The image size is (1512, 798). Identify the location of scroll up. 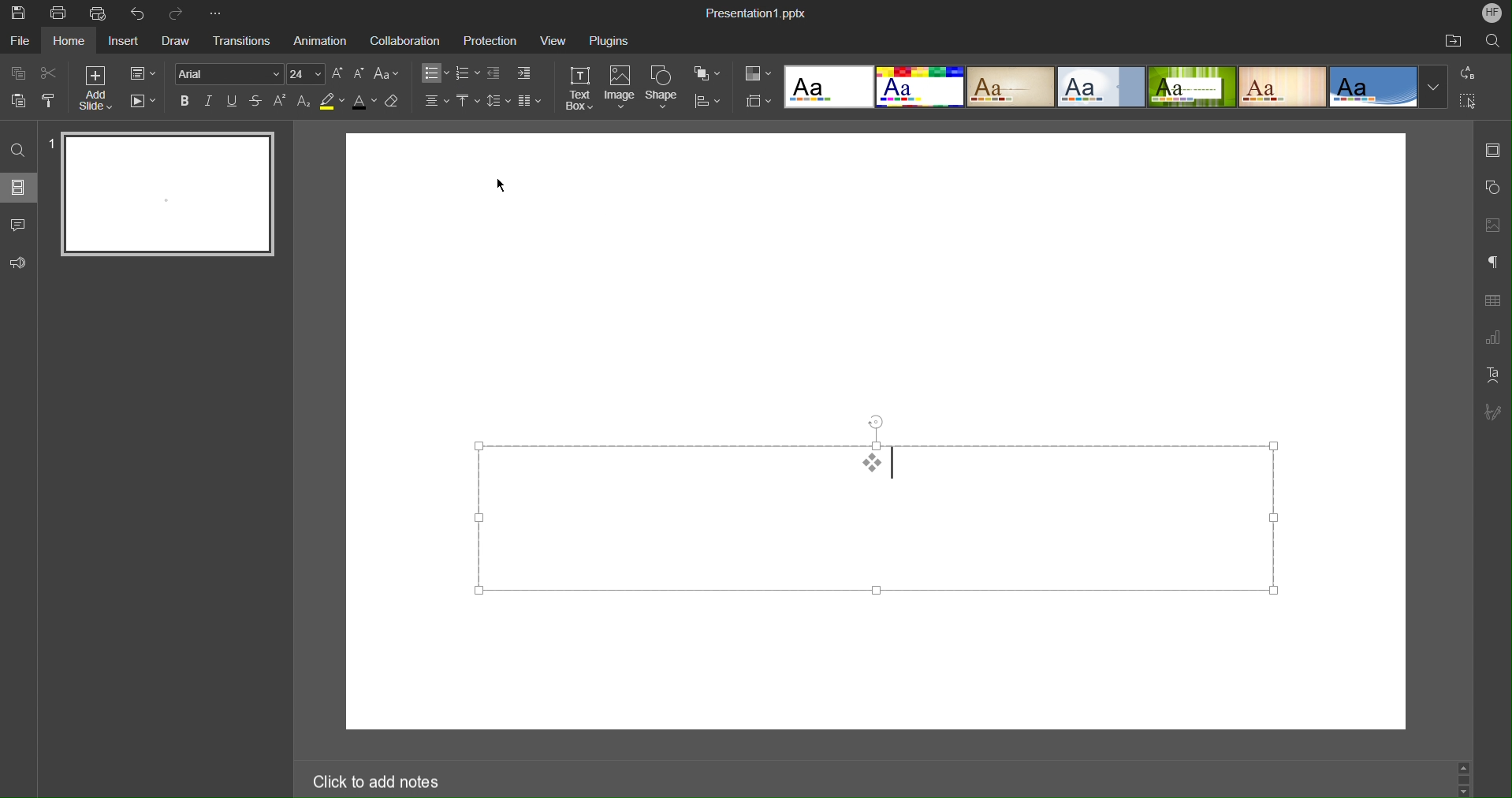
(1463, 766).